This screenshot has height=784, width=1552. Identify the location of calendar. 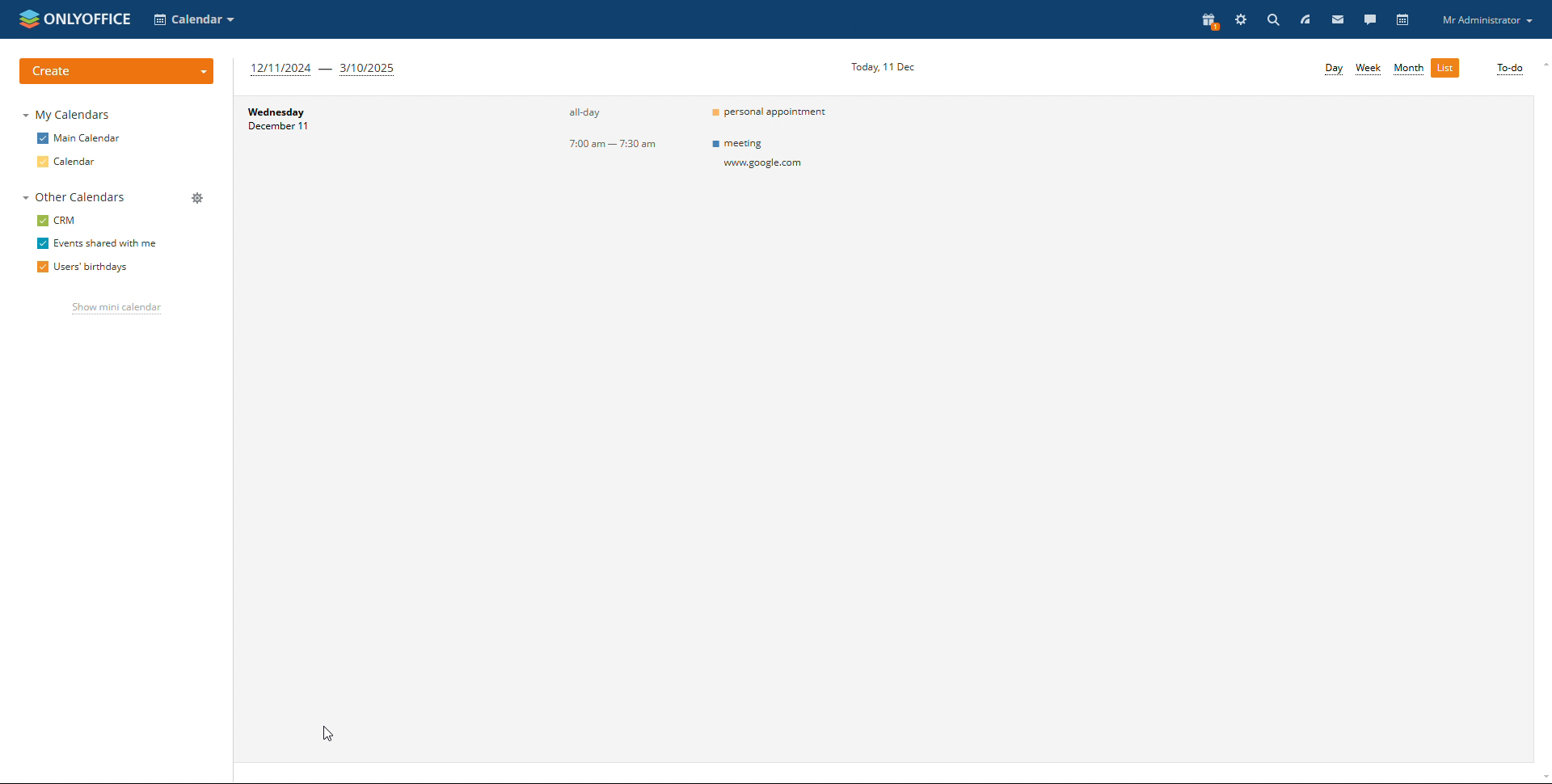
(1404, 20).